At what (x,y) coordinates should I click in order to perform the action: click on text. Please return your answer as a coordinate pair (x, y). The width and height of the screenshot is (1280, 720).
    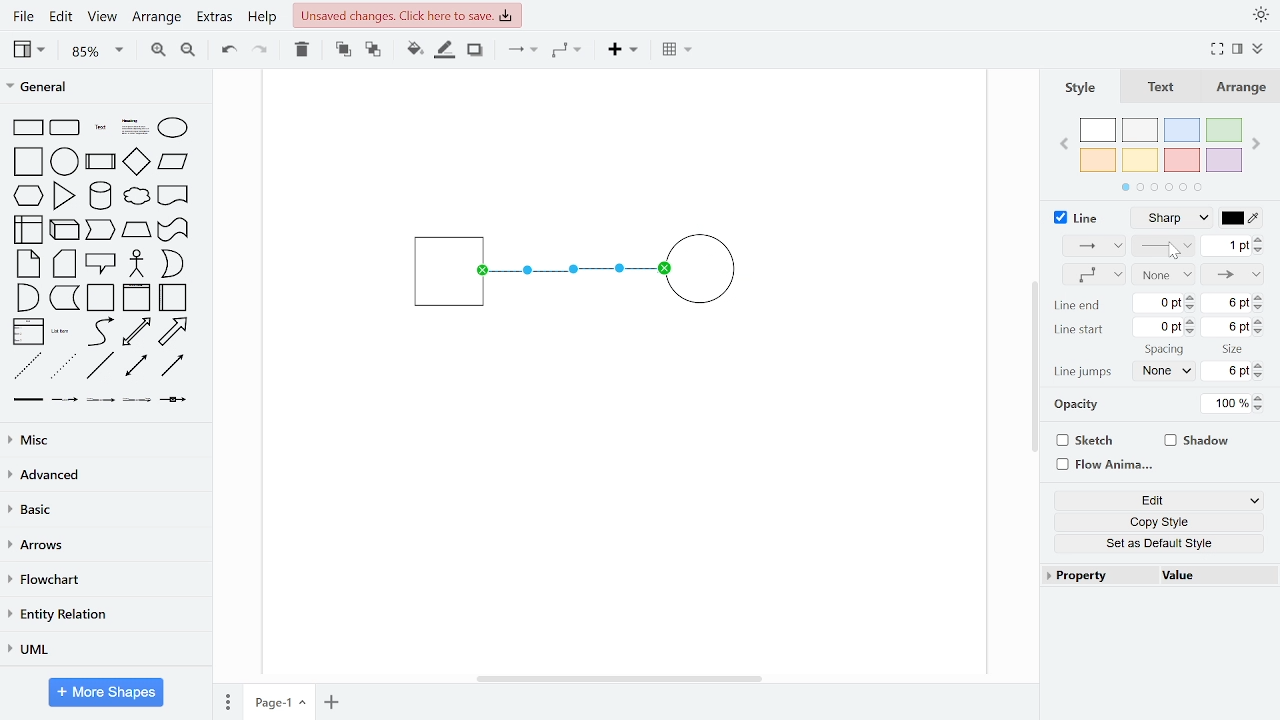
    Looking at the image, I should click on (102, 129).